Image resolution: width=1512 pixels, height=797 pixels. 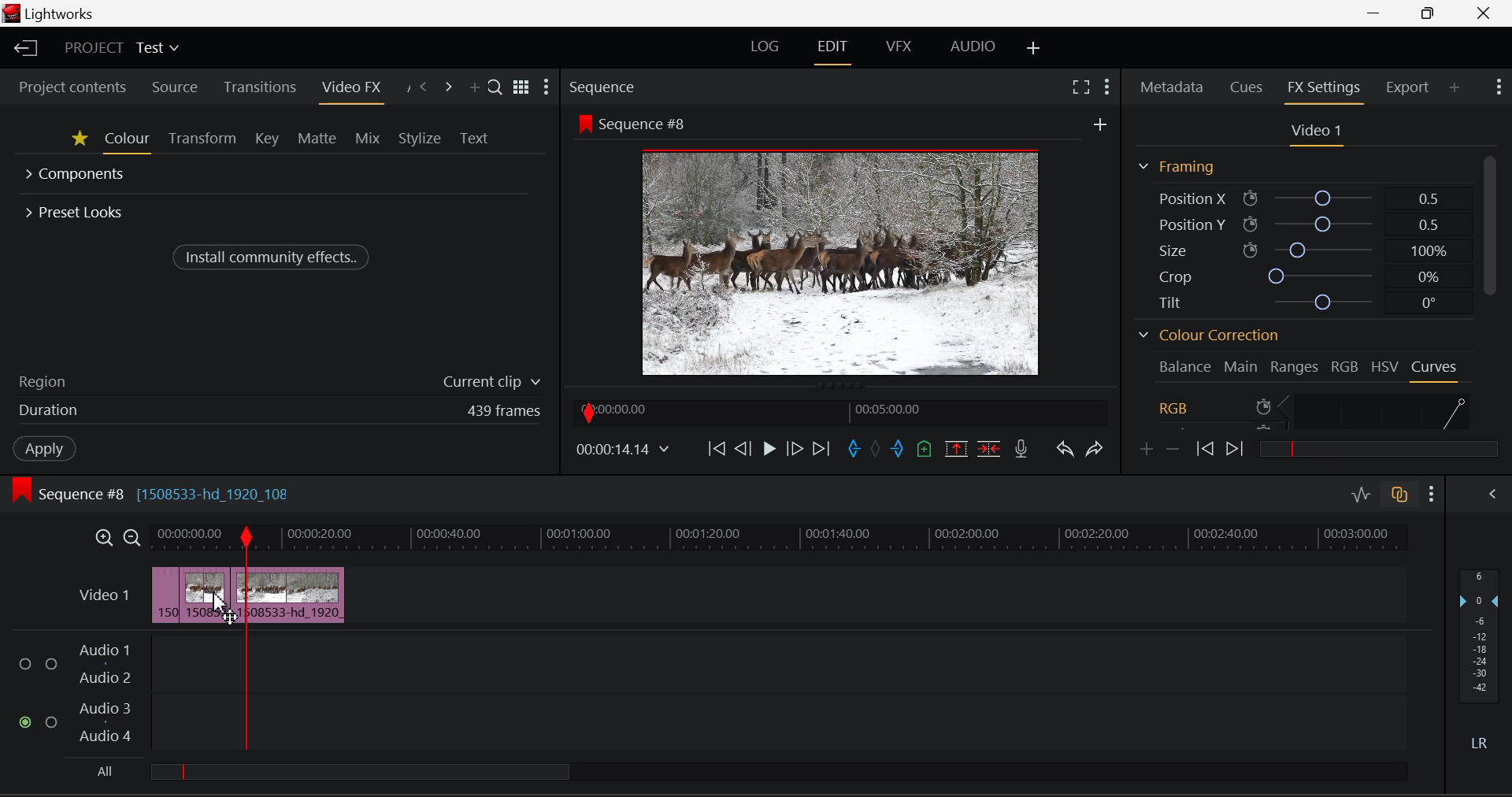 I want to click on Matte, so click(x=317, y=140).